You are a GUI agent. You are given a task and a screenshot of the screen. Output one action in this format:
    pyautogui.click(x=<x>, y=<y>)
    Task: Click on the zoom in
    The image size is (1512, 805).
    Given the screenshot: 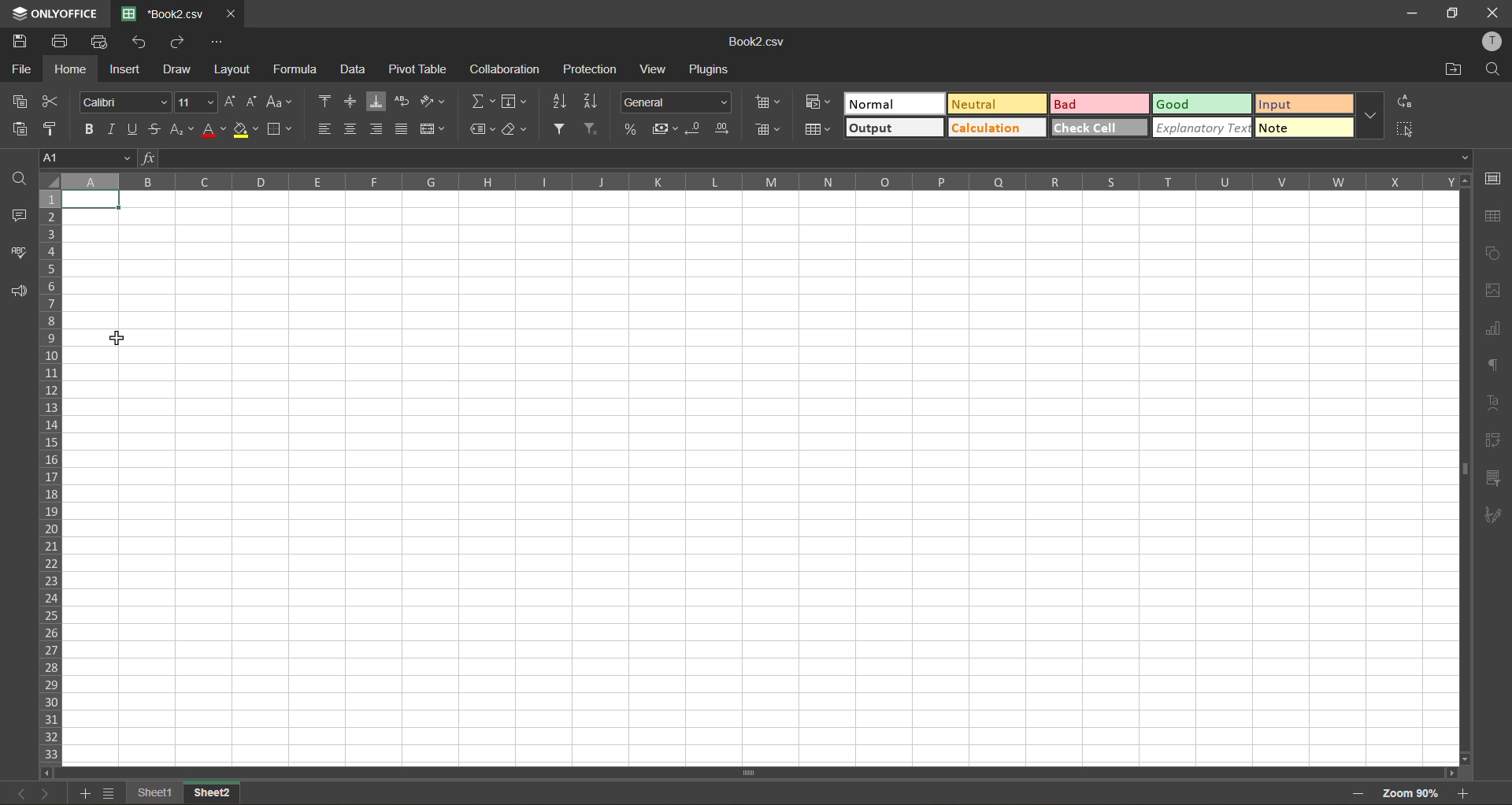 What is the action you would take?
    pyautogui.click(x=1466, y=794)
    